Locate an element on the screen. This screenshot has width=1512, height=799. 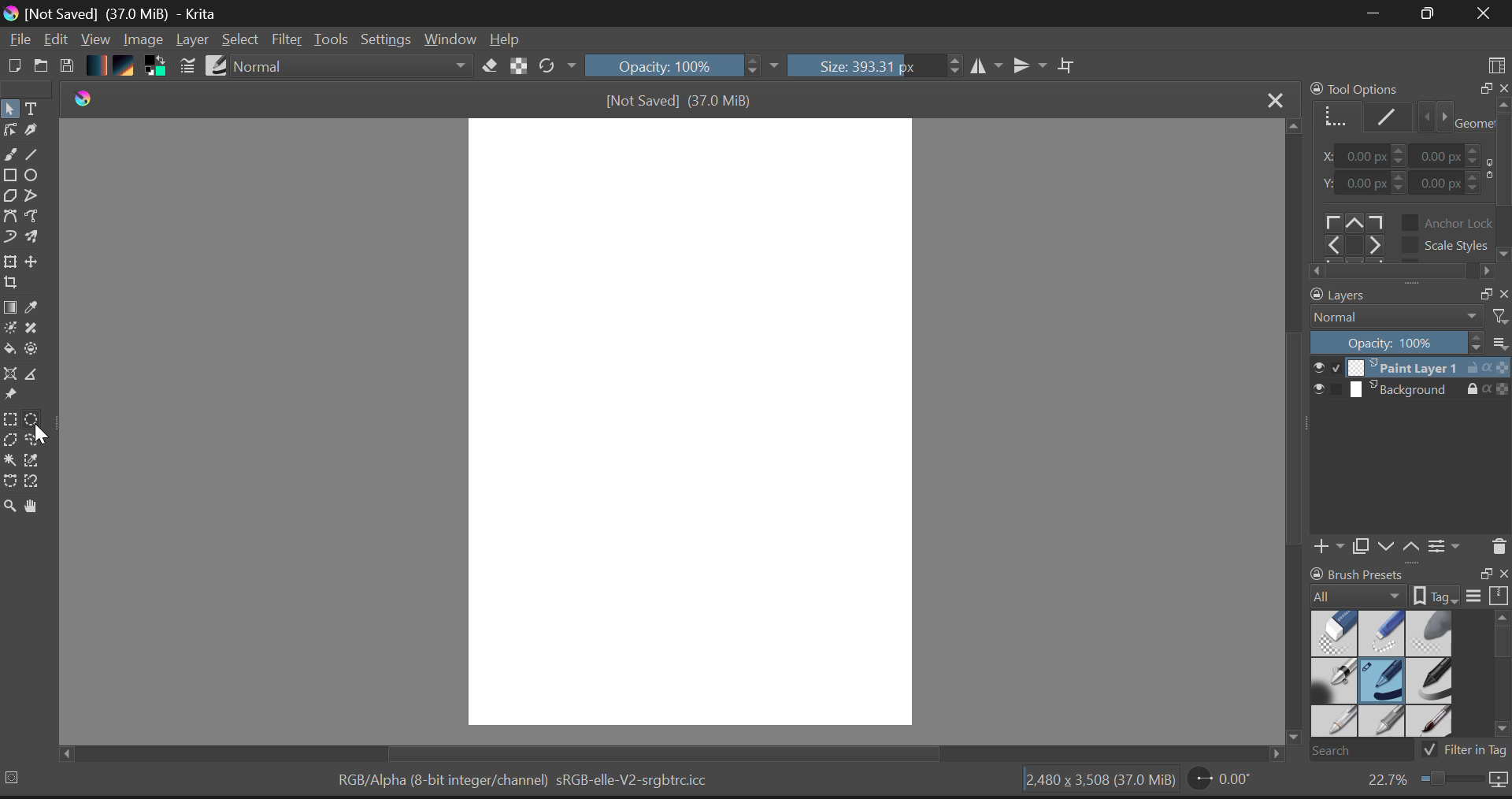
Freehand Selection is located at coordinates (41, 442).